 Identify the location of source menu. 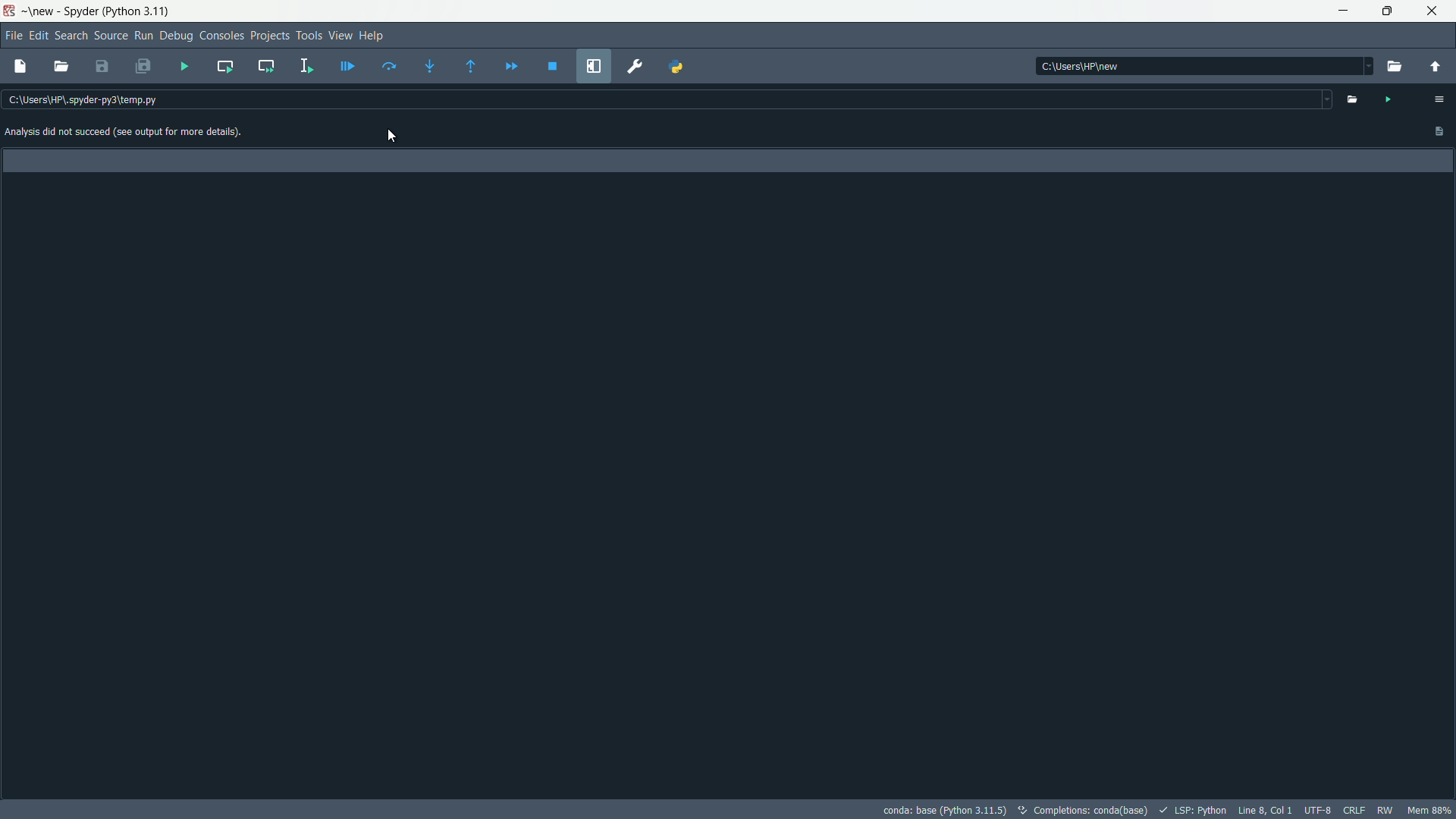
(108, 36).